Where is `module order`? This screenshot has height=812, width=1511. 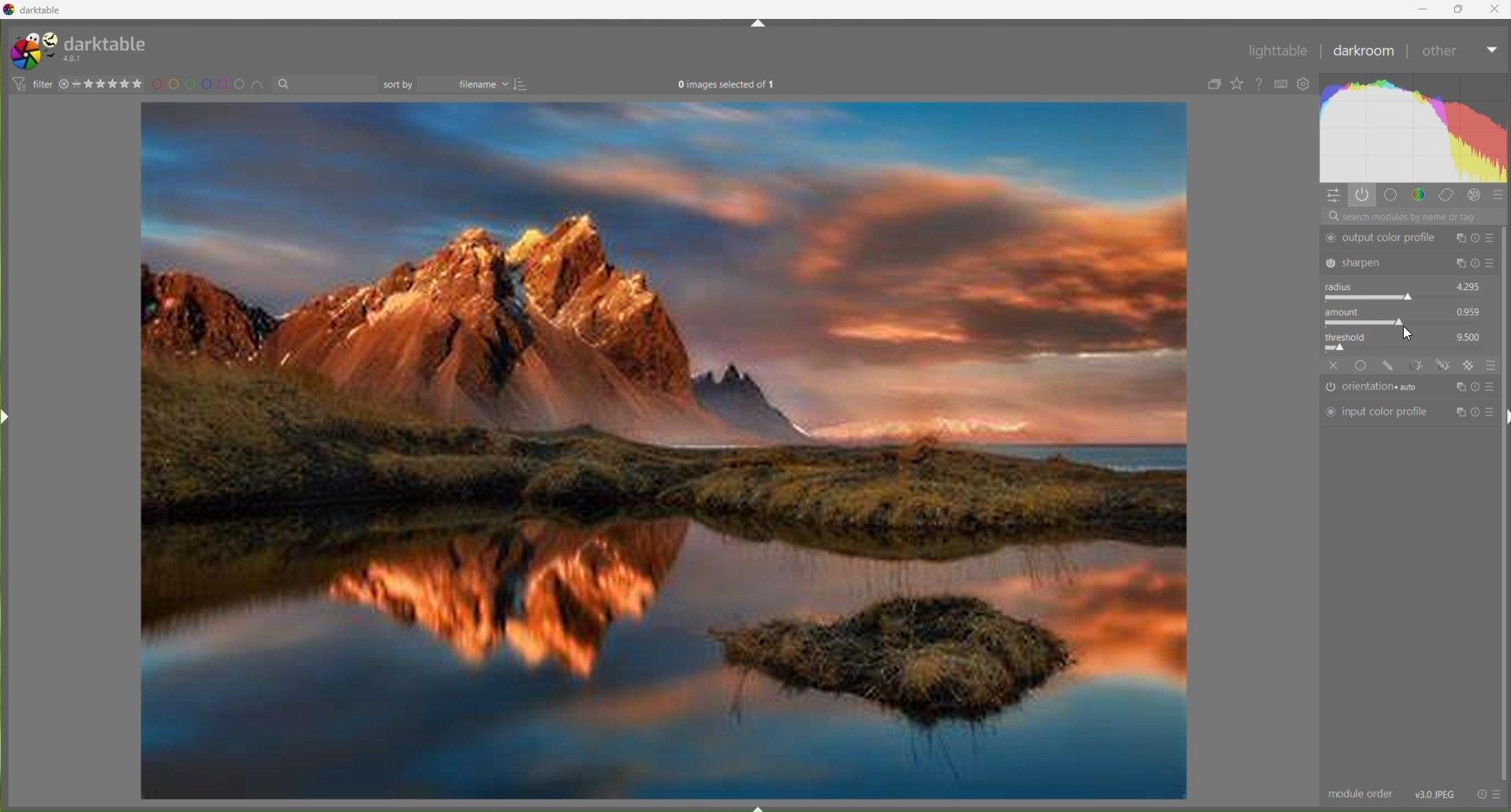 module order is located at coordinates (1362, 795).